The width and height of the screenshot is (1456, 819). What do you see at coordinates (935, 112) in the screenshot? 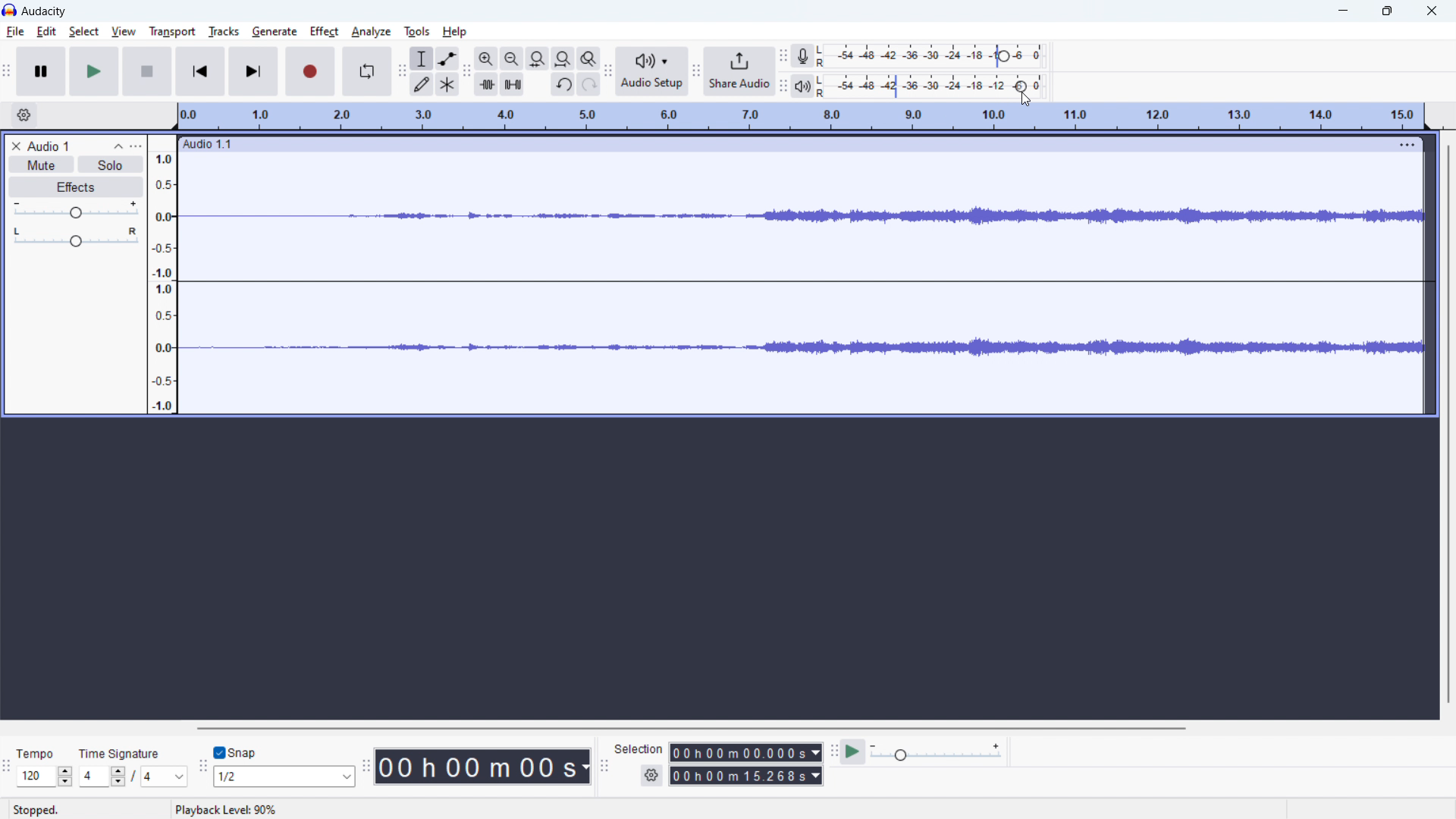
I see `plauback speed: 90%` at bounding box center [935, 112].